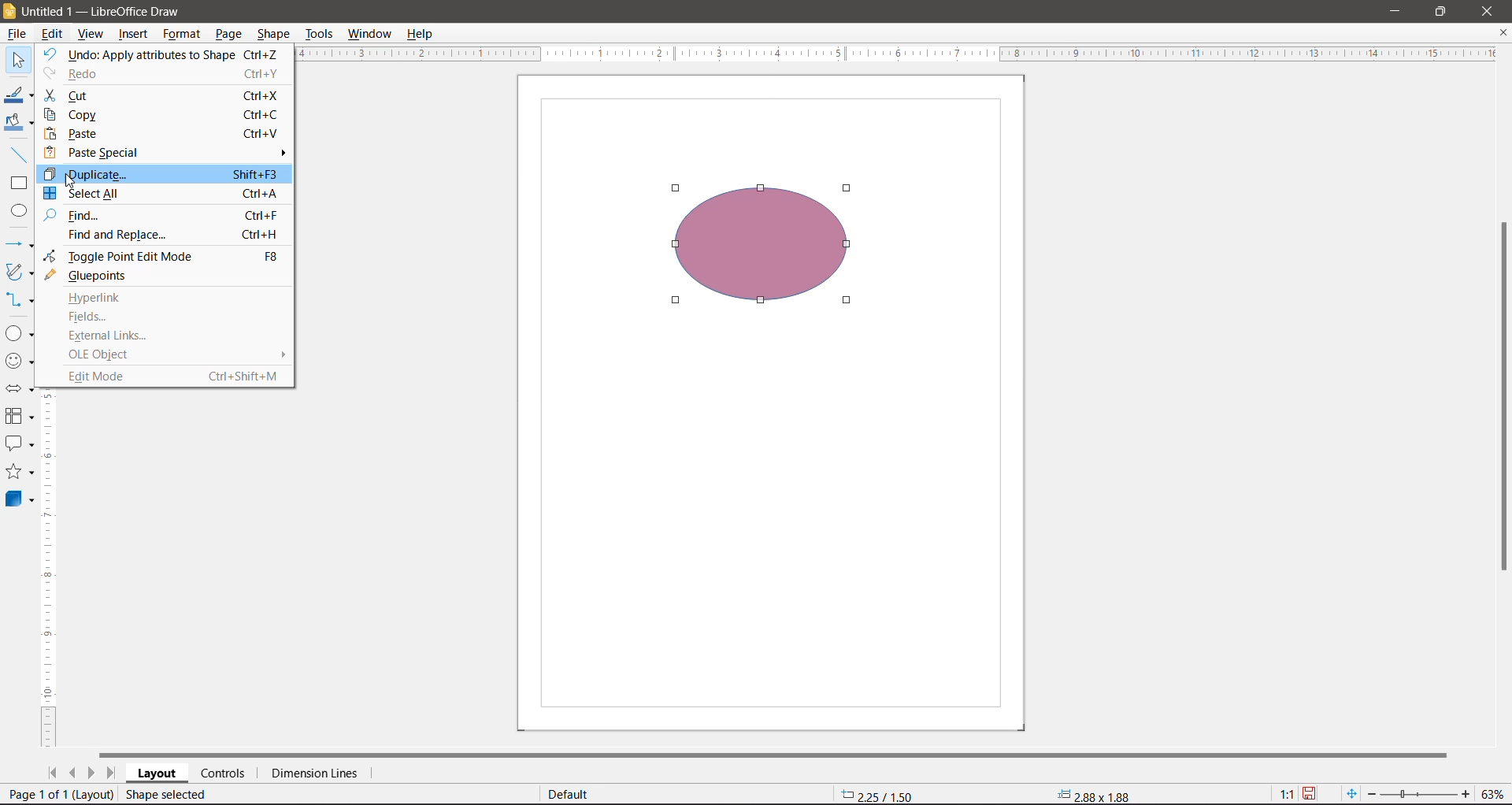  I want to click on Callout Shapes, so click(20, 443).